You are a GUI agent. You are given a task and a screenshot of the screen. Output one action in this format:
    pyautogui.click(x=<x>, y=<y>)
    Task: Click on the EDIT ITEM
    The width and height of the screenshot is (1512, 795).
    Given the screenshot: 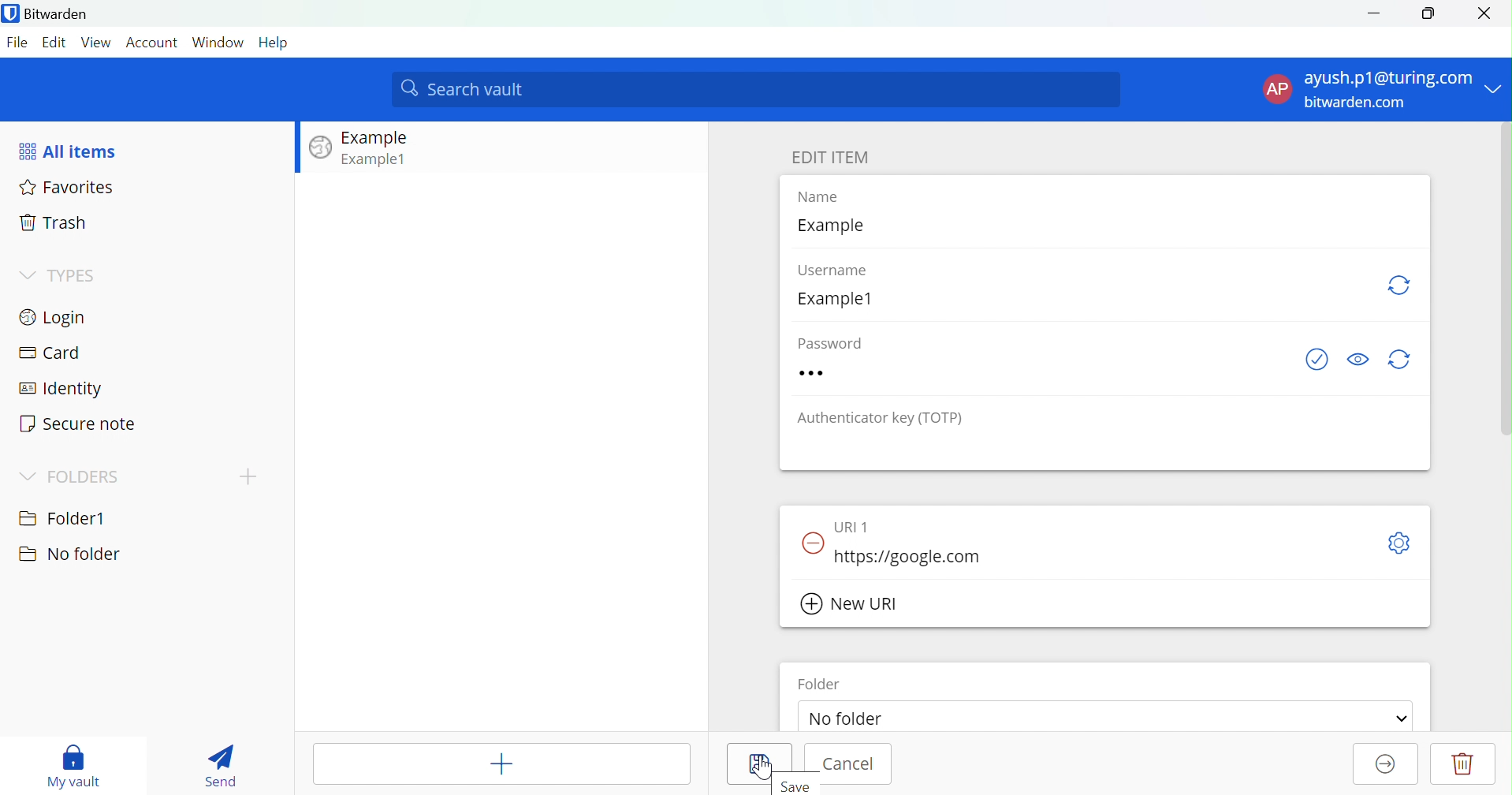 What is the action you would take?
    pyautogui.click(x=830, y=157)
    